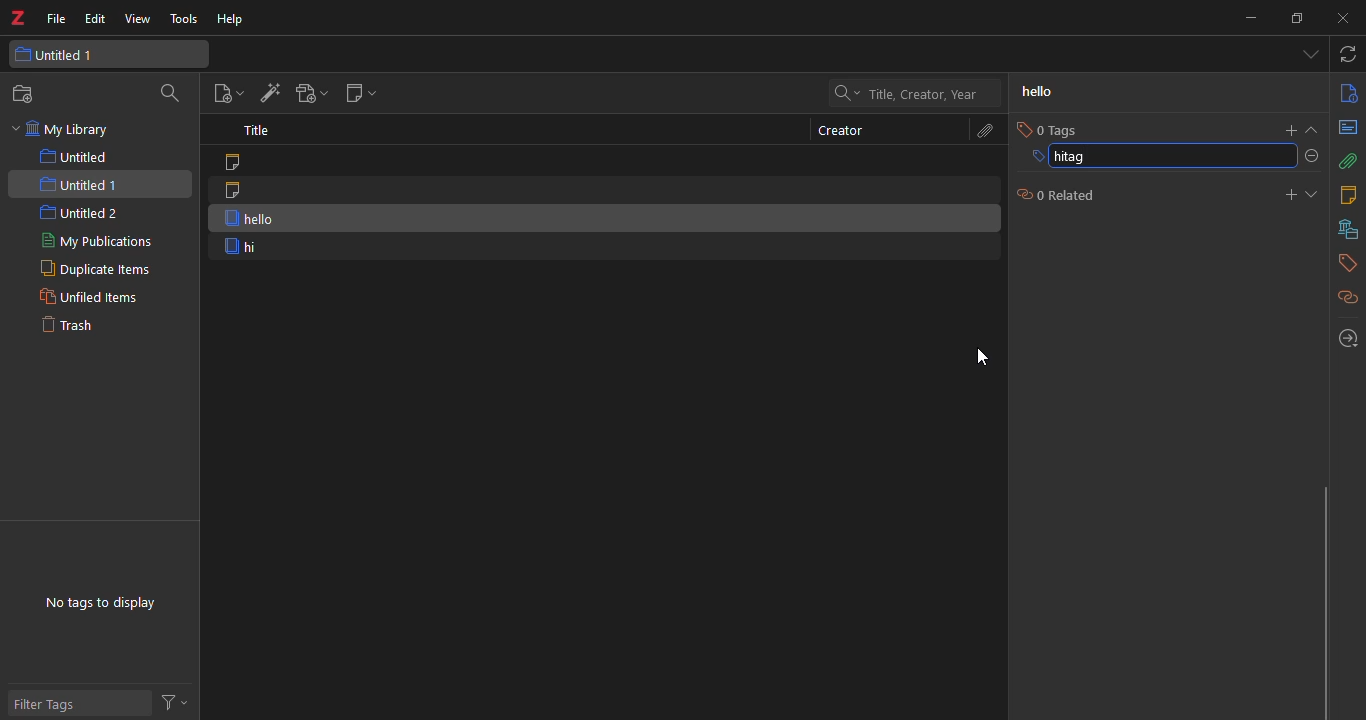 The image size is (1366, 720). Describe the element at coordinates (981, 356) in the screenshot. I see `double click` at that location.